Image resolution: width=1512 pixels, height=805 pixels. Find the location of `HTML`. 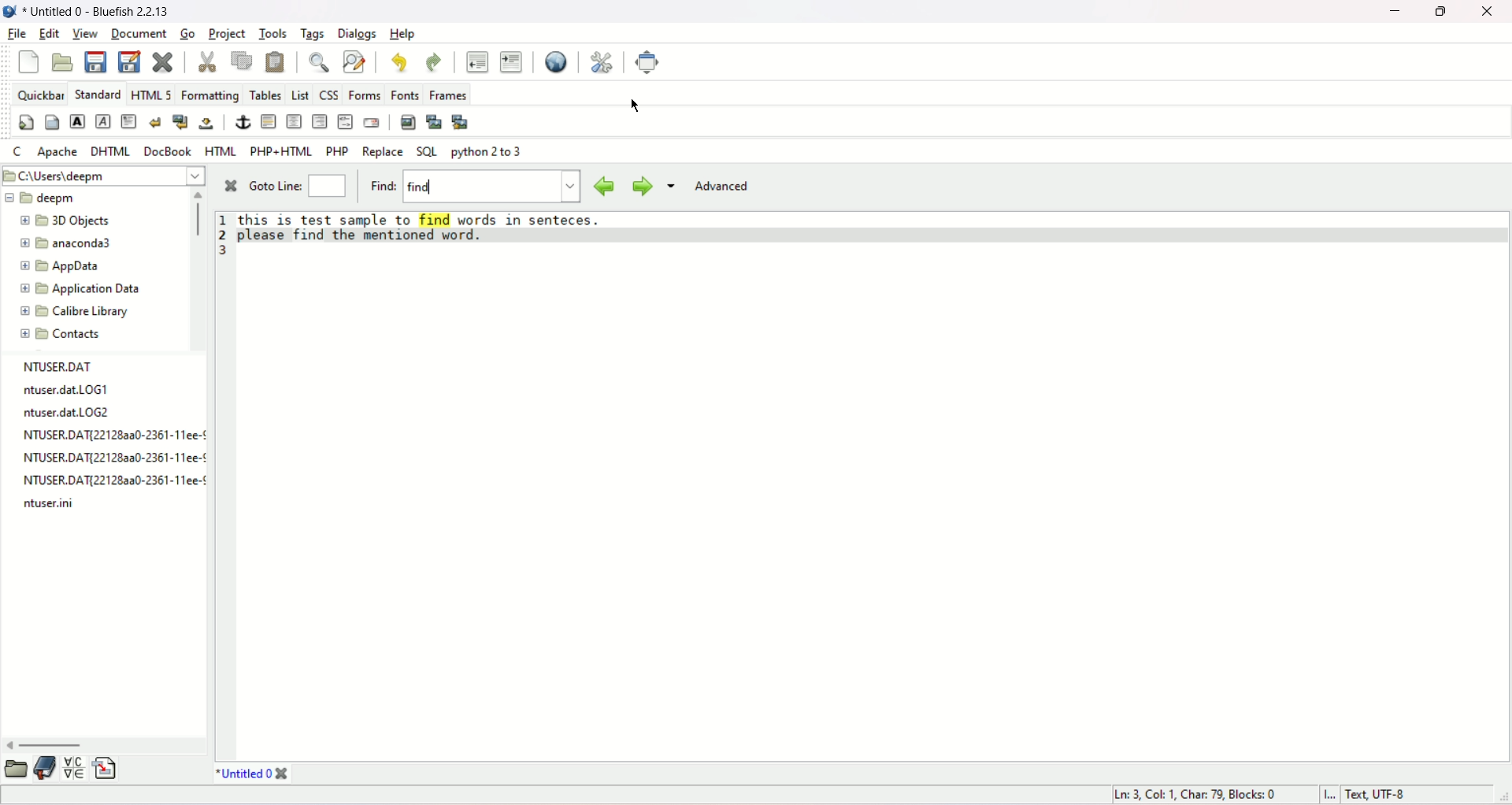

HTML is located at coordinates (220, 151).